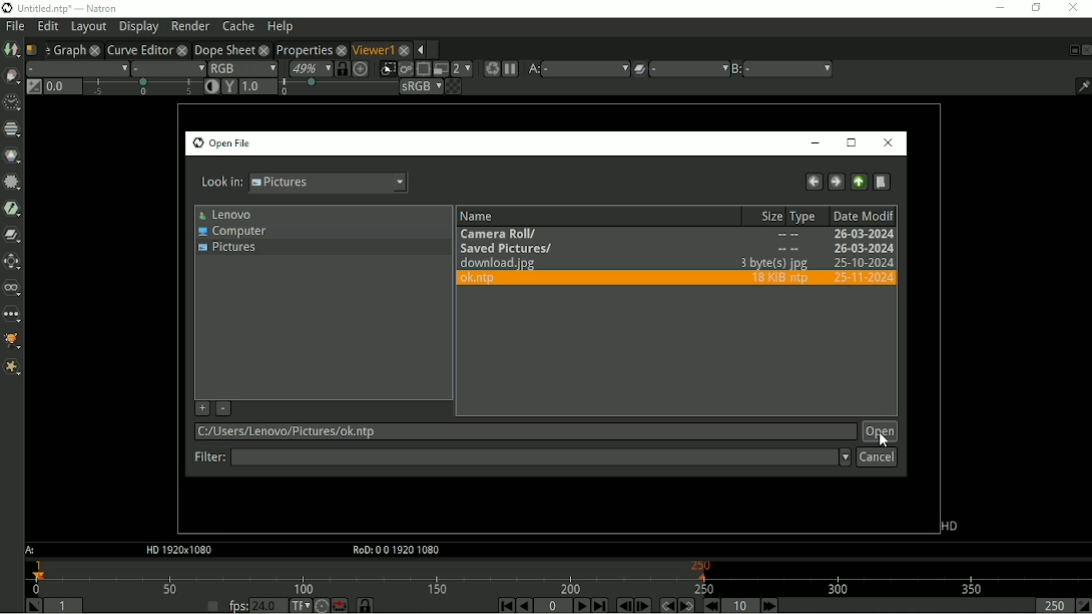 The width and height of the screenshot is (1092, 614). I want to click on Gamma correction, so click(229, 87).